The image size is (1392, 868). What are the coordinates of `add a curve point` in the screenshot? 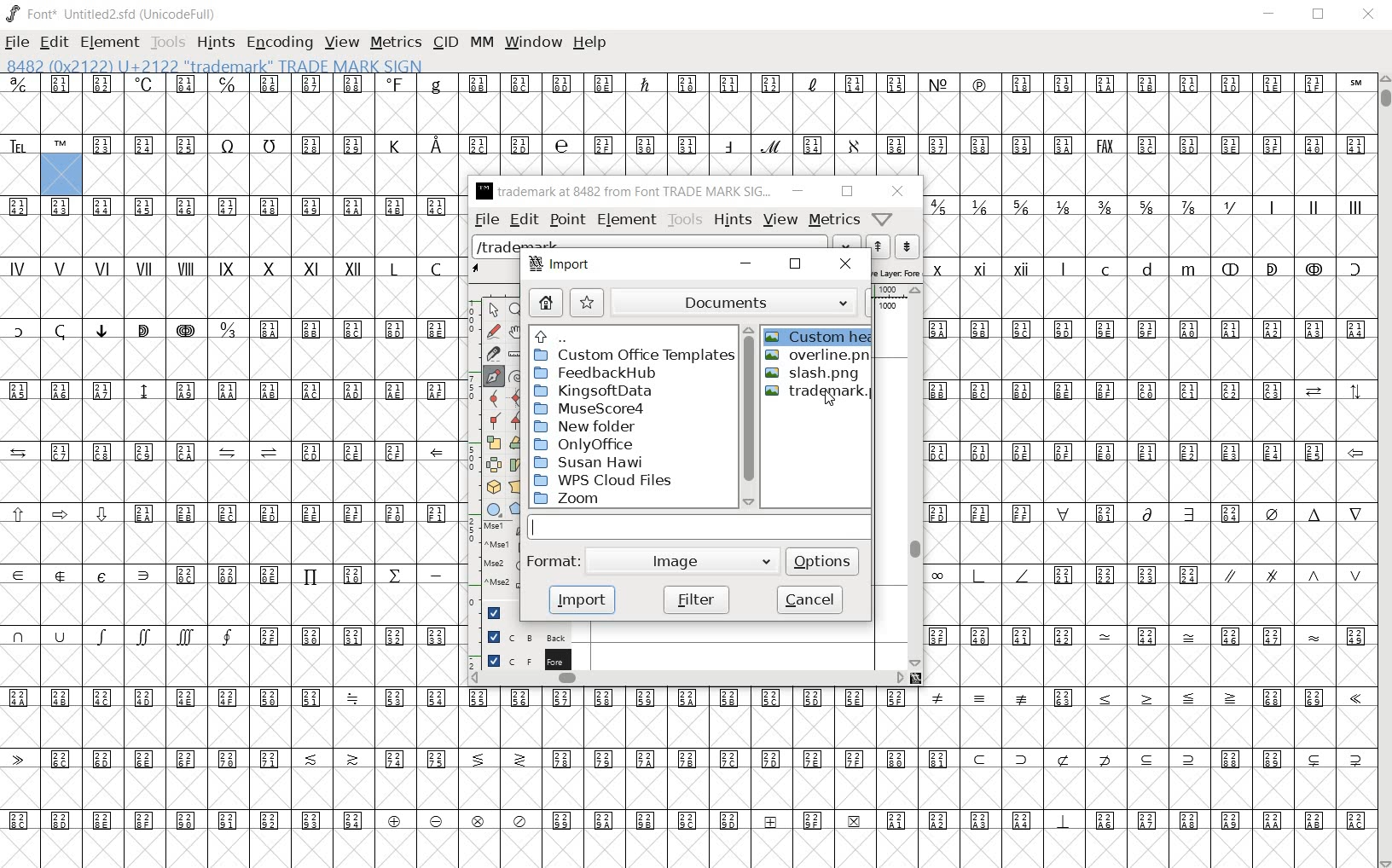 It's located at (493, 396).